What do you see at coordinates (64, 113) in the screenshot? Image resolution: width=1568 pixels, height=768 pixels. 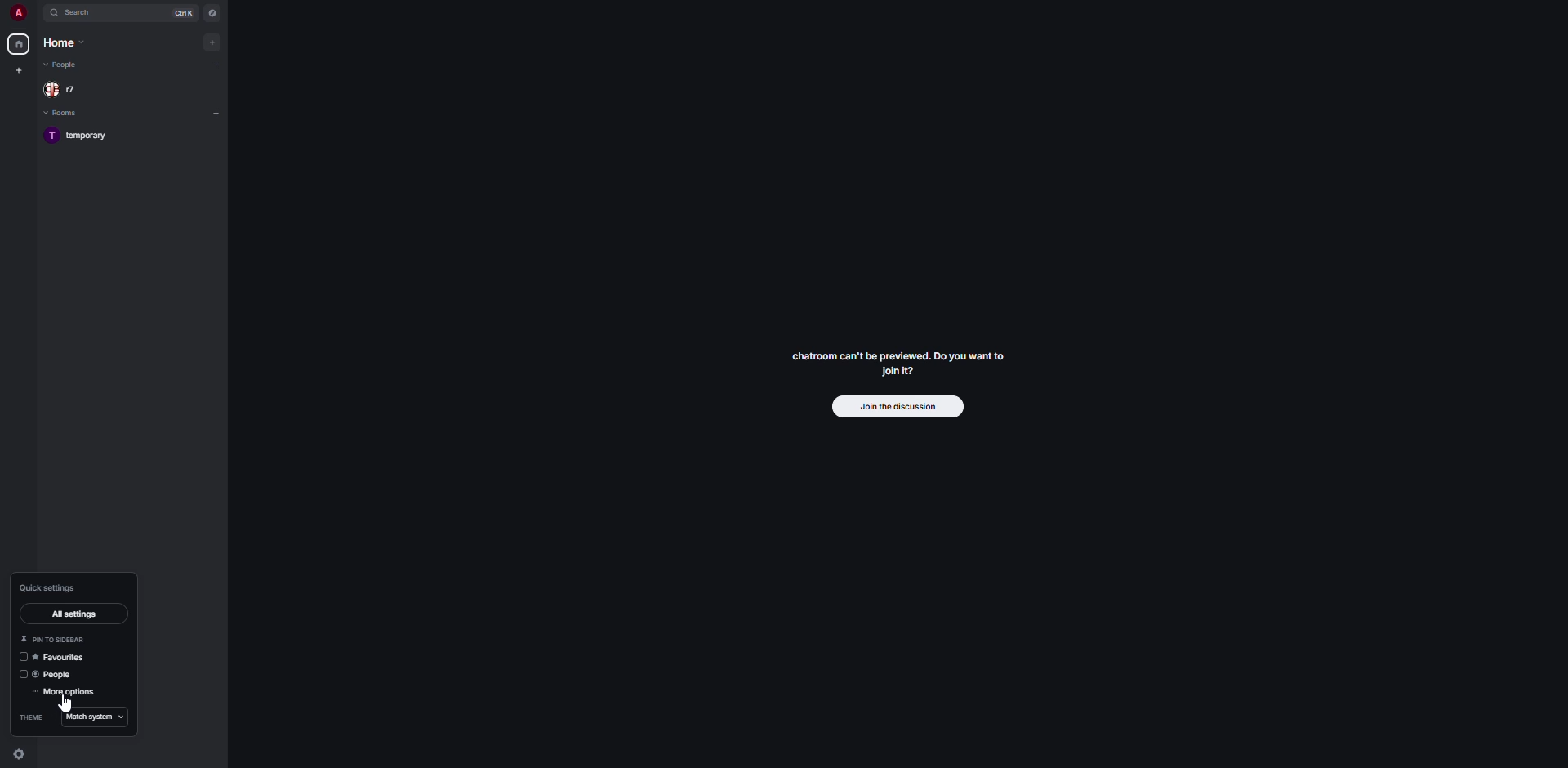 I see `rooms` at bounding box center [64, 113].